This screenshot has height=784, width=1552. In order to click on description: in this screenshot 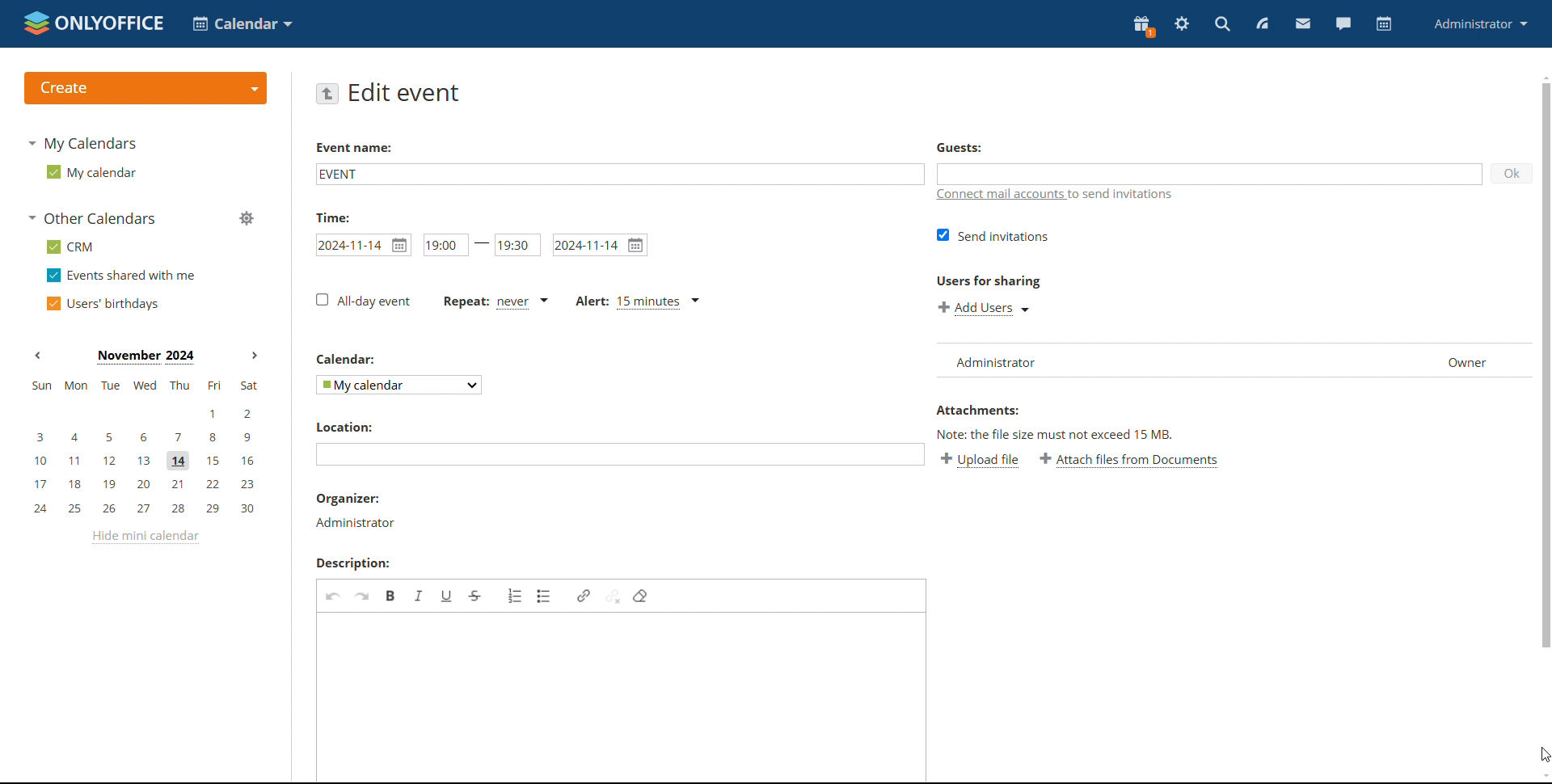, I will do `click(360, 563)`.